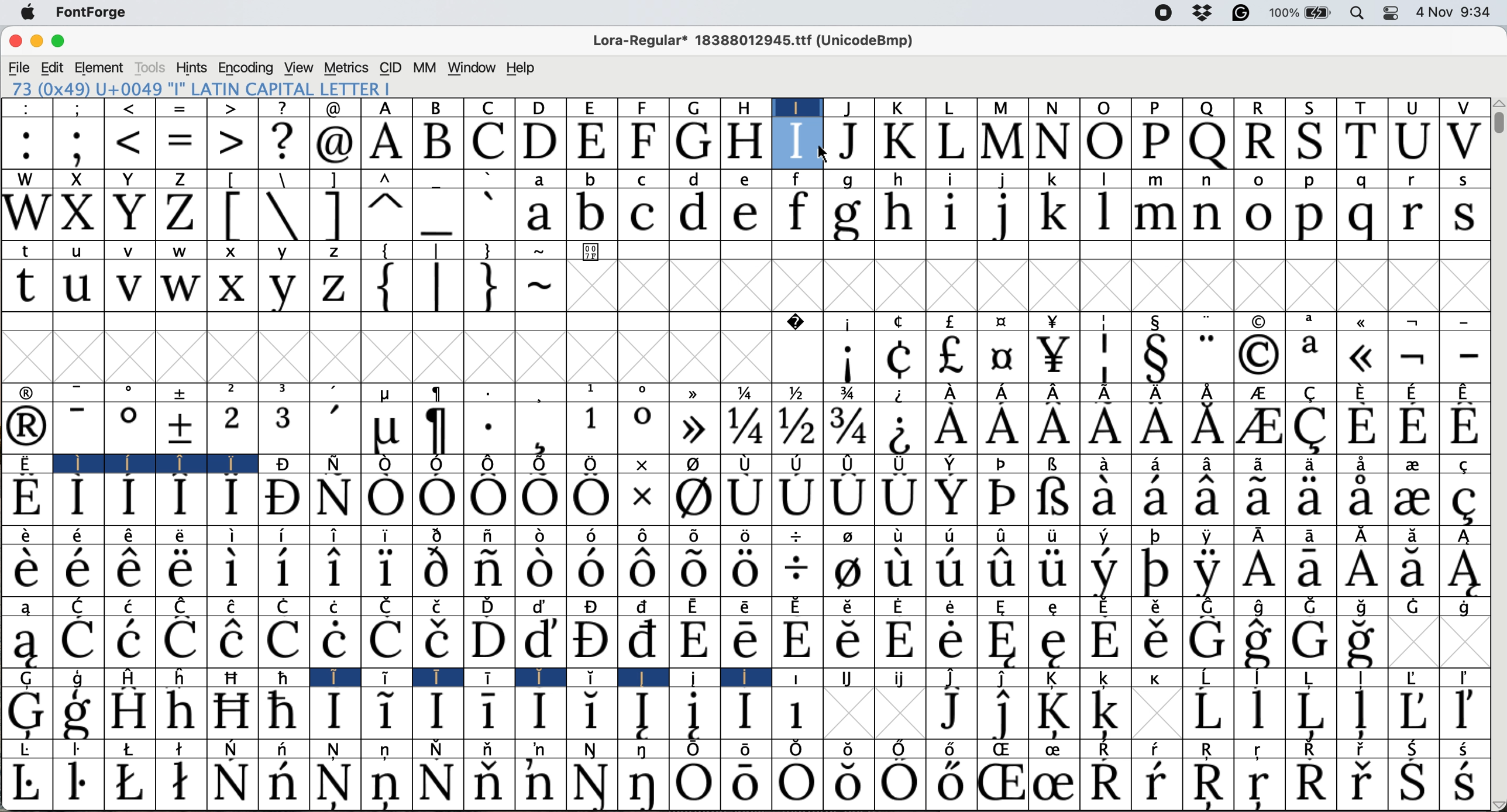 This screenshot has height=812, width=1507. I want to click on ", so click(1206, 355).